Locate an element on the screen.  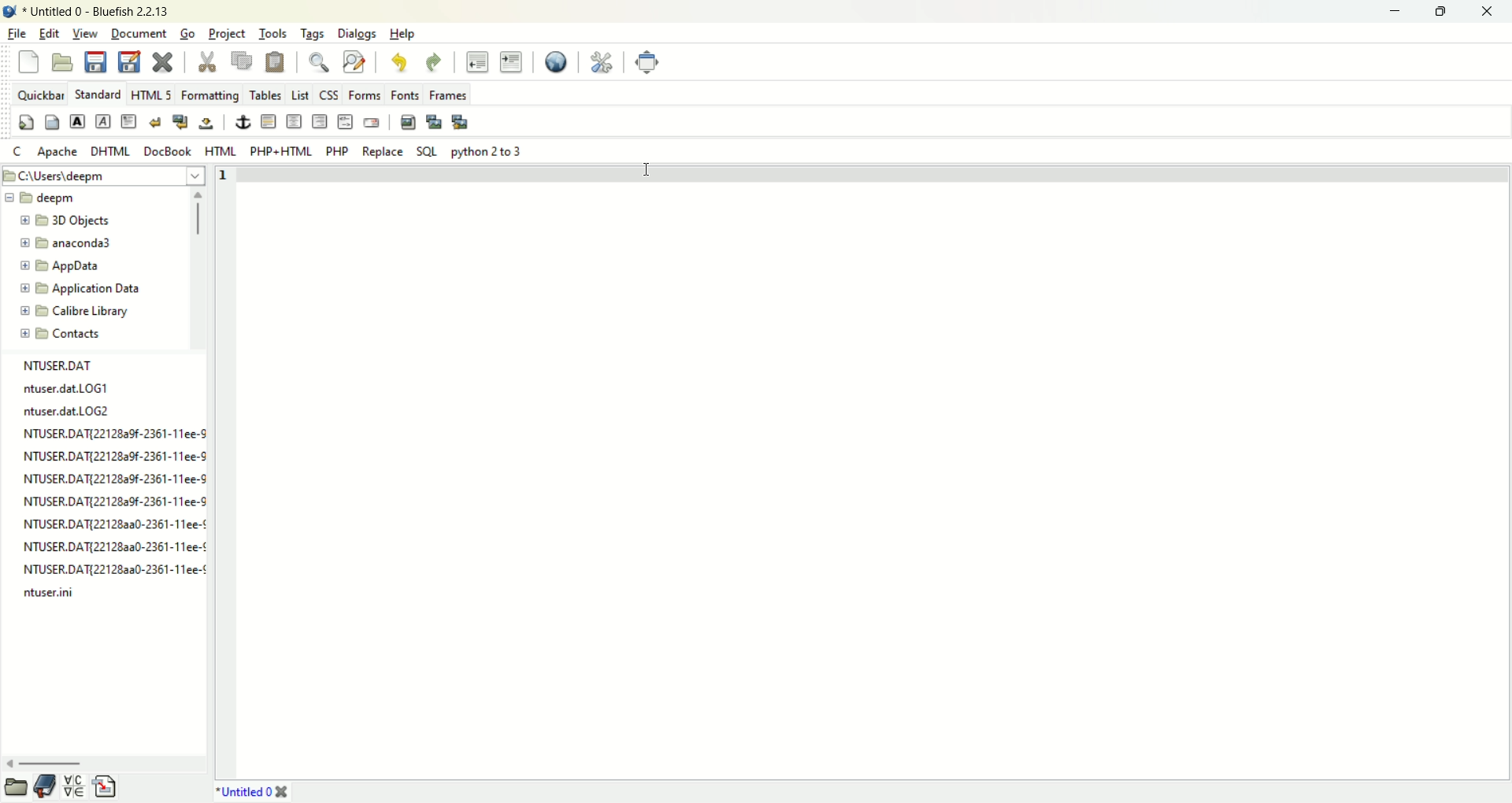
paste is located at coordinates (276, 62).